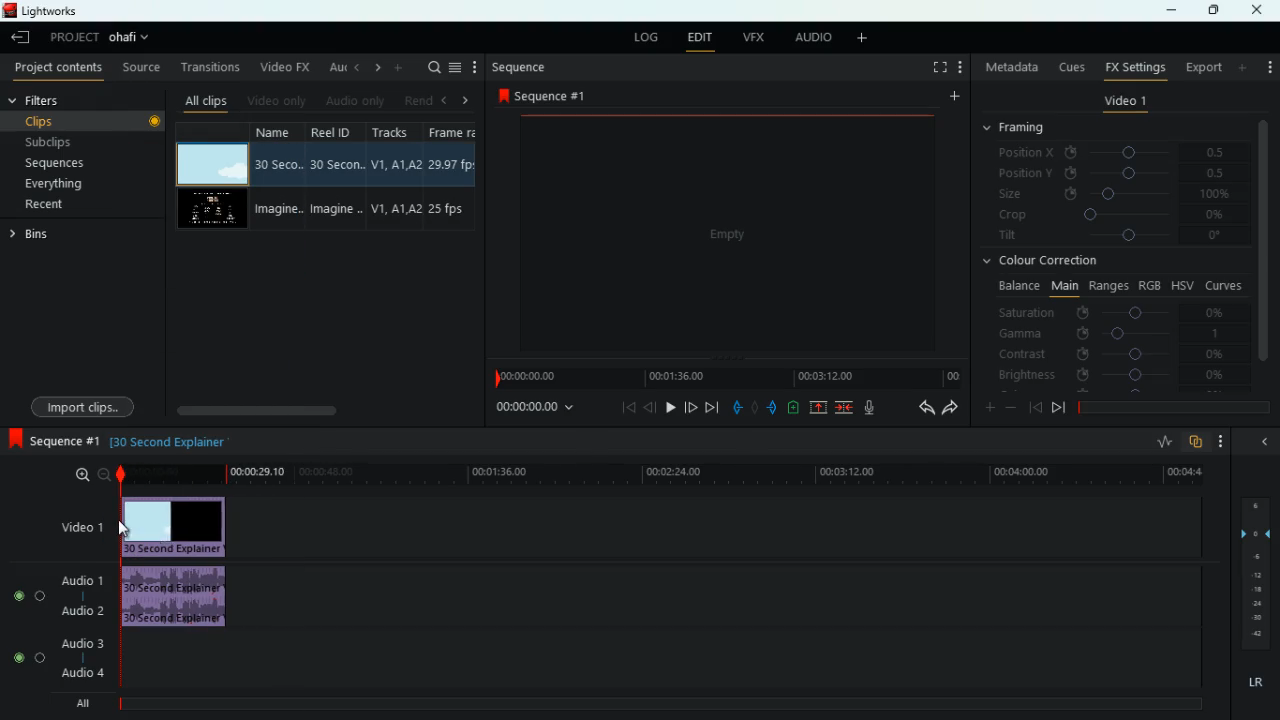 The image size is (1280, 720). Describe the element at coordinates (985, 406) in the screenshot. I see `plus` at that location.